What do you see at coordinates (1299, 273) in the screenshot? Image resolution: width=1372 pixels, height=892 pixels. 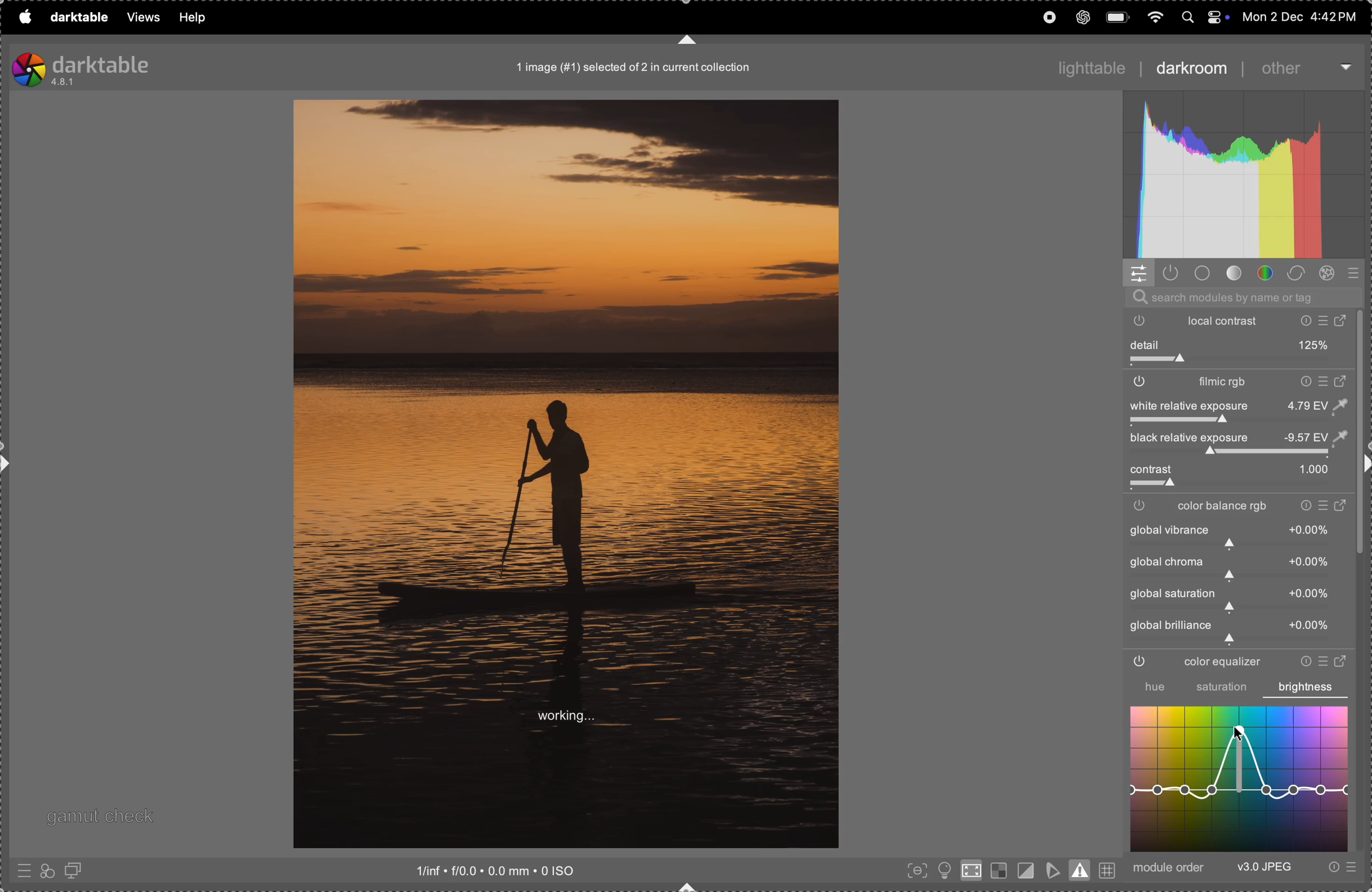 I see `correct` at bounding box center [1299, 273].